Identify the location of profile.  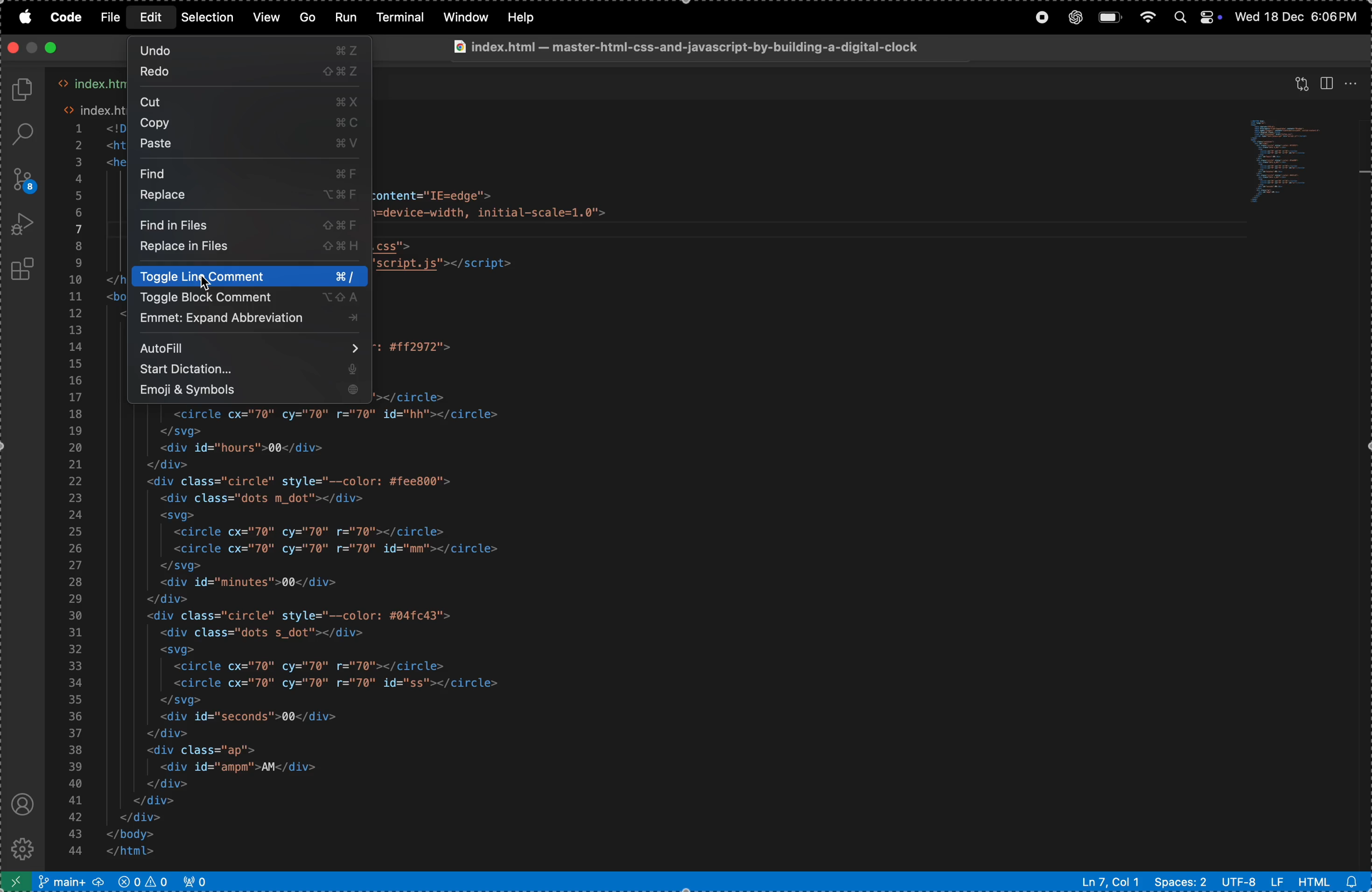
(22, 804).